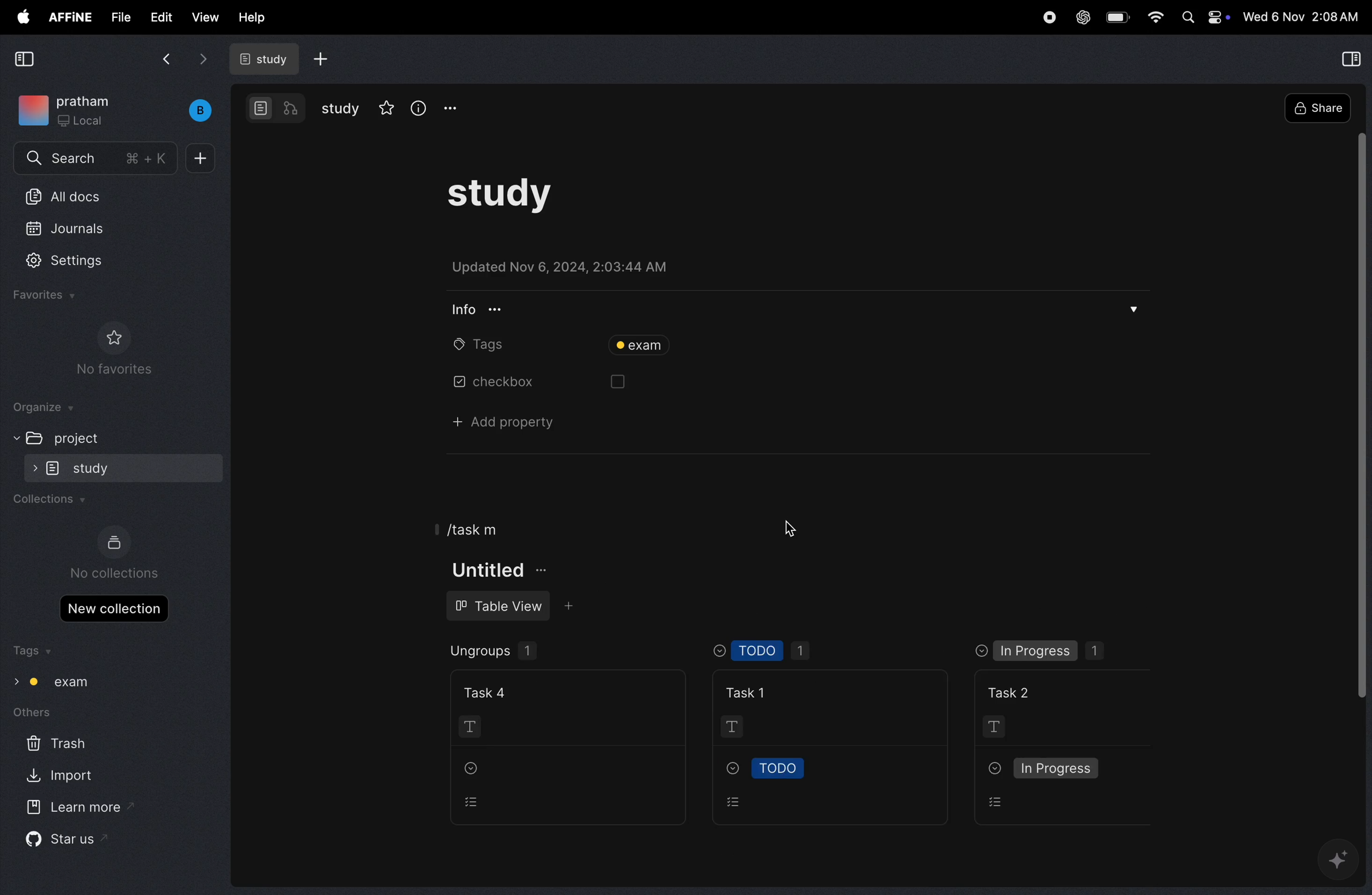 The width and height of the screenshot is (1372, 895). Describe the element at coordinates (200, 157) in the screenshot. I see `add` at that location.